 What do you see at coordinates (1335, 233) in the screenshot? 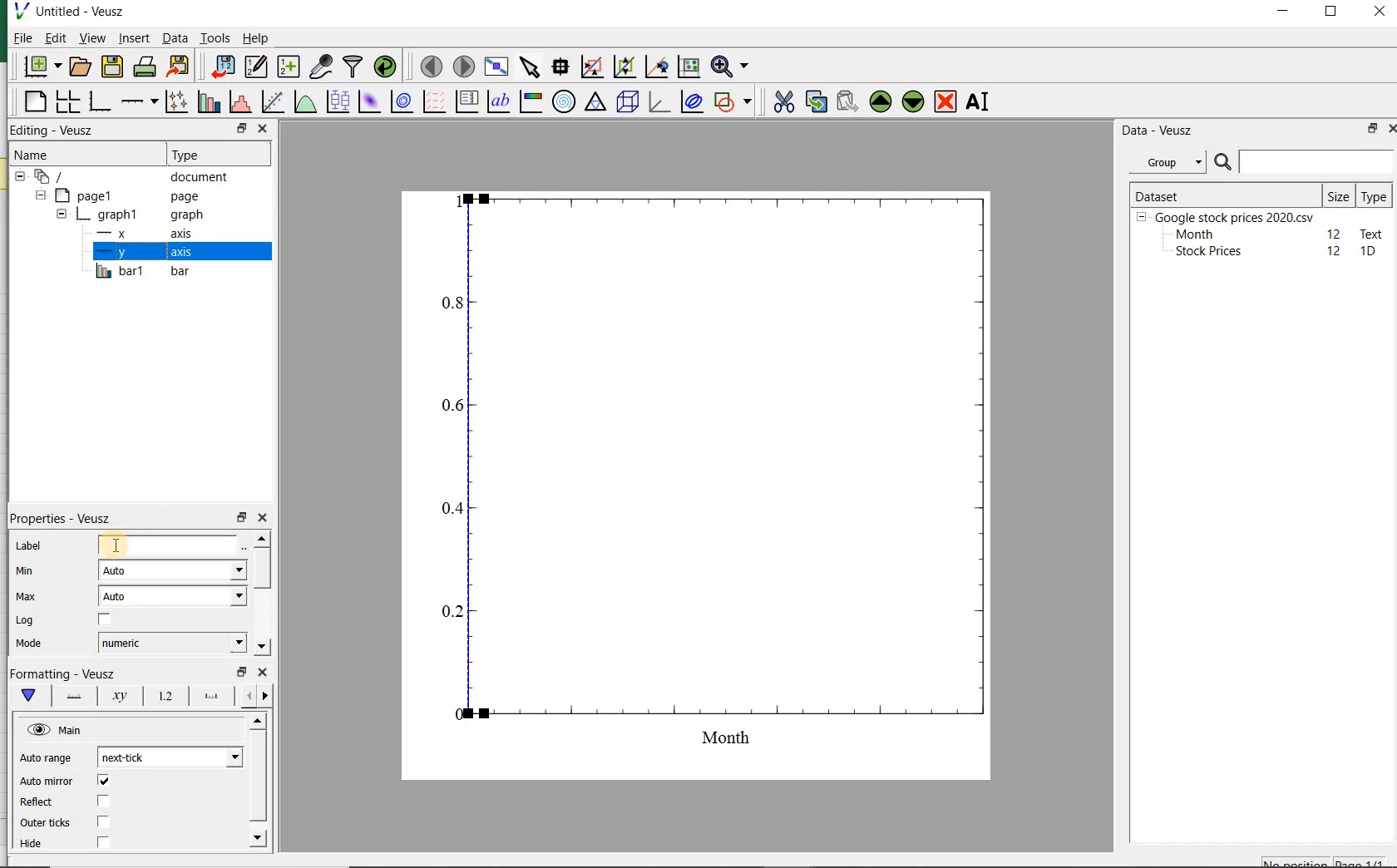
I see `12` at bounding box center [1335, 233].